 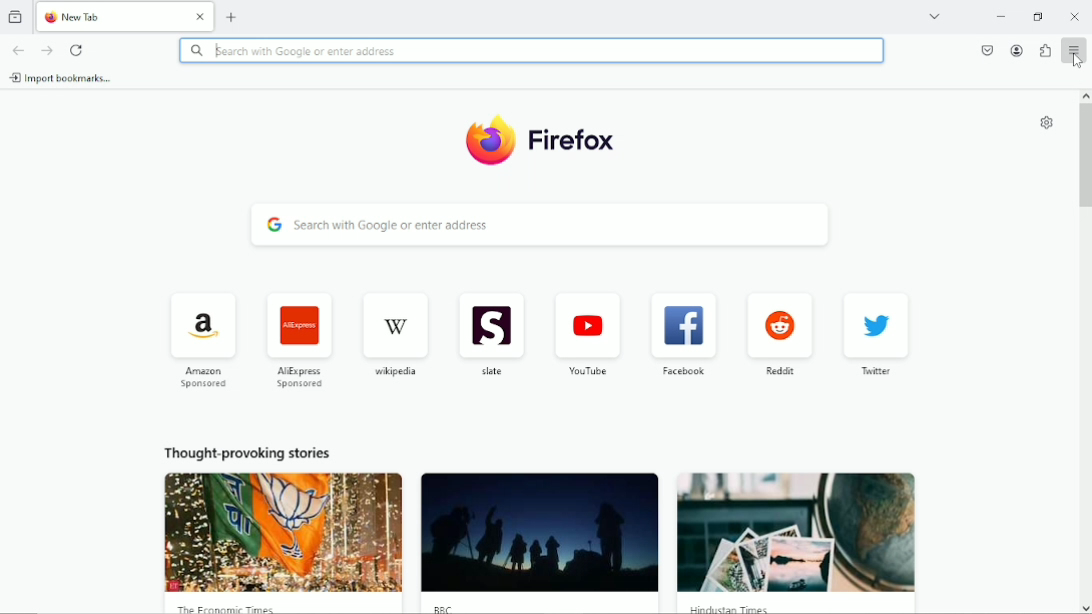 What do you see at coordinates (935, 14) in the screenshot?
I see `list all tabs` at bounding box center [935, 14].